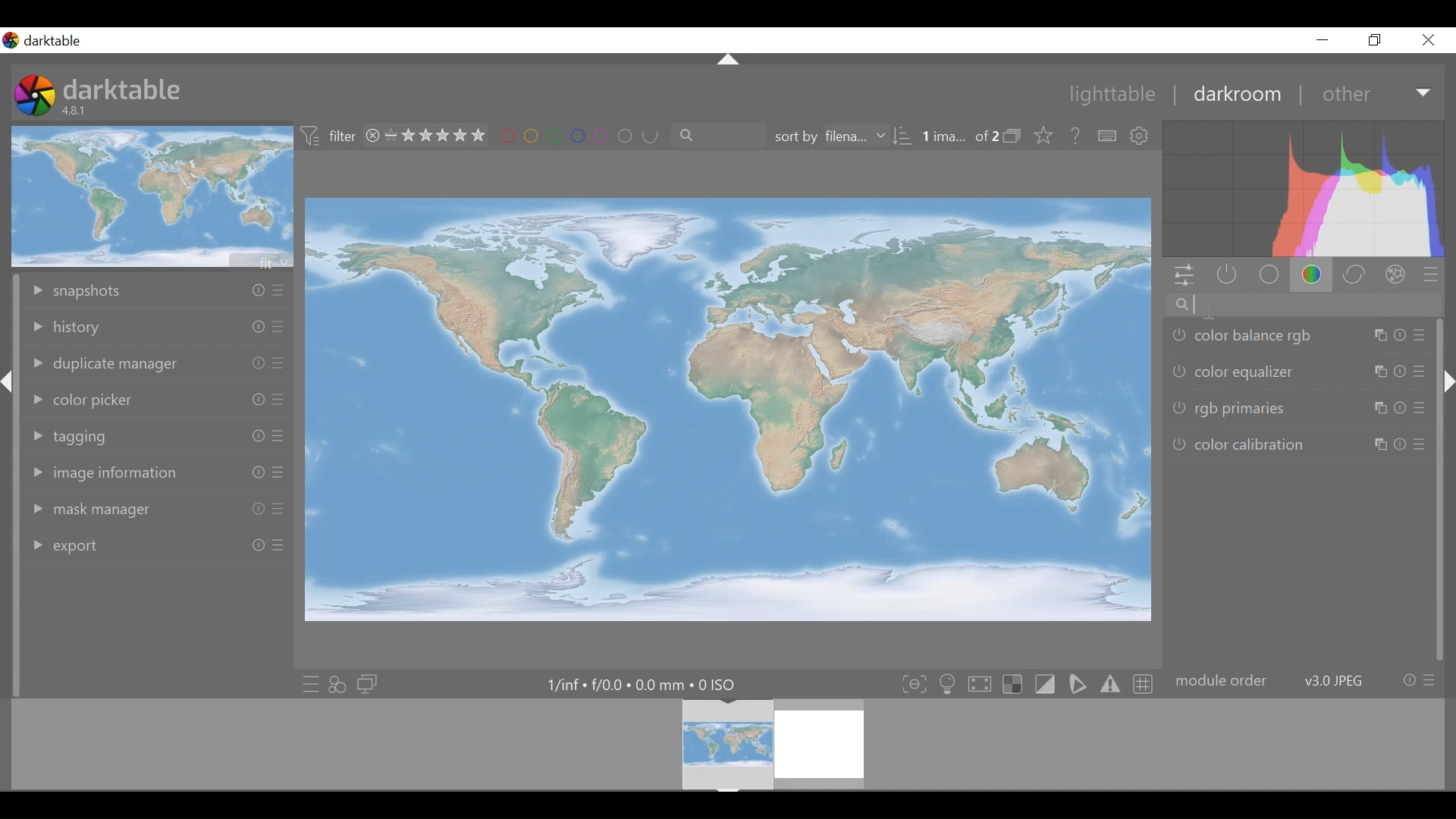 The image size is (1456, 819). I want to click on color equalizer, so click(1300, 372).